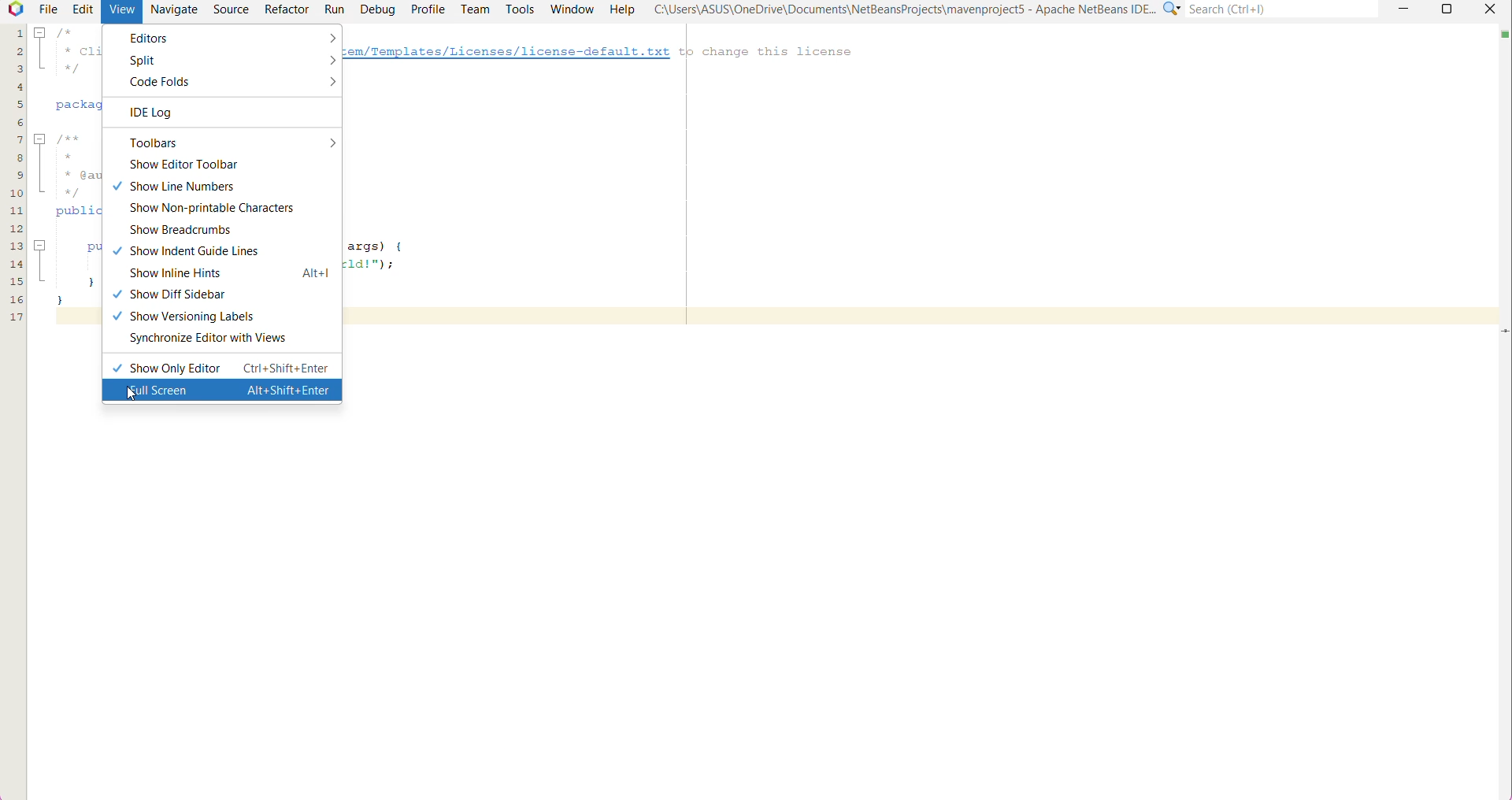  Describe the element at coordinates (520, 9) in the screenshot. I see `Tools` at that location.